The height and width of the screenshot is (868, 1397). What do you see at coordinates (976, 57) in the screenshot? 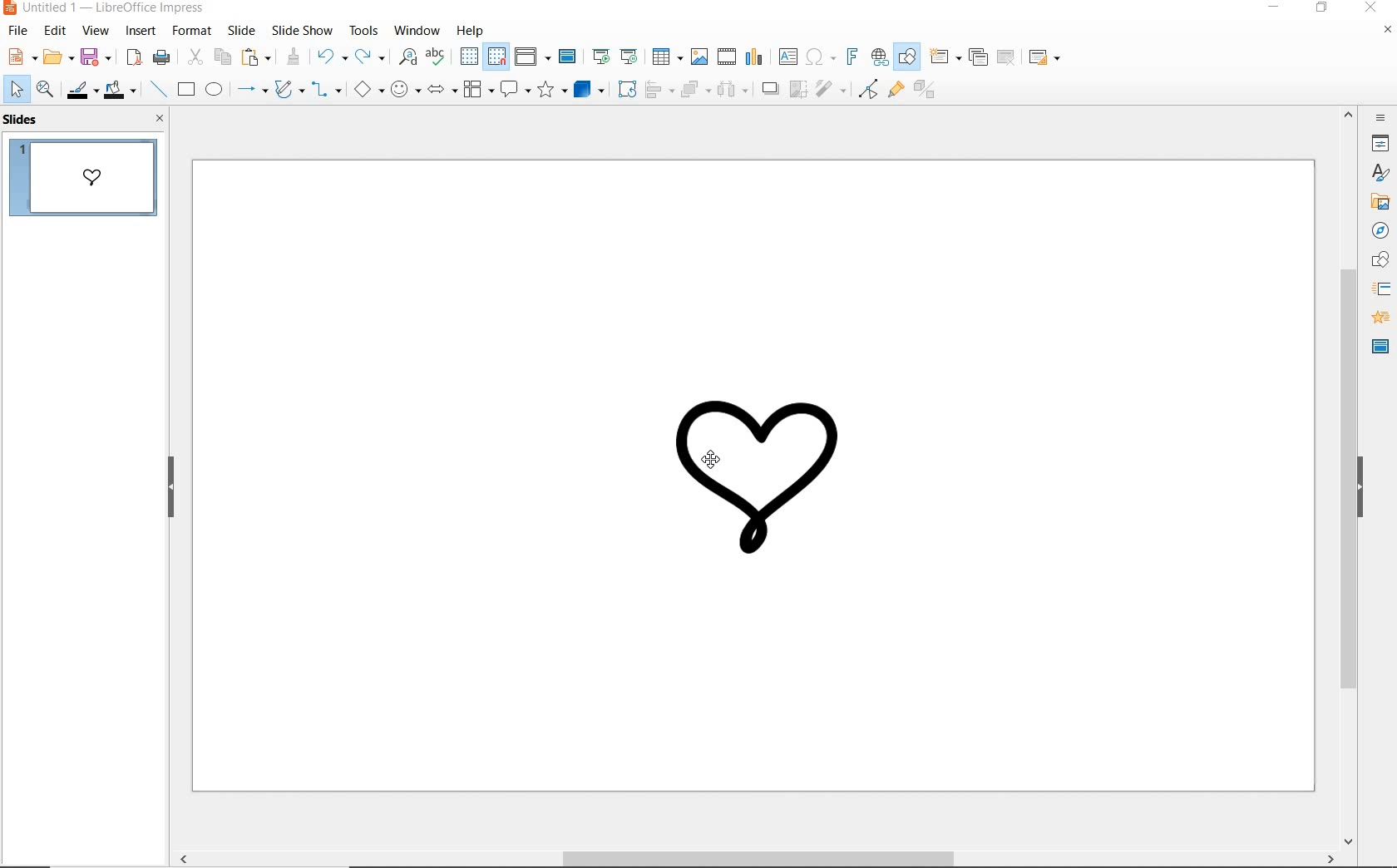
I see `duplicate slide` at bounding box center [976, 57].